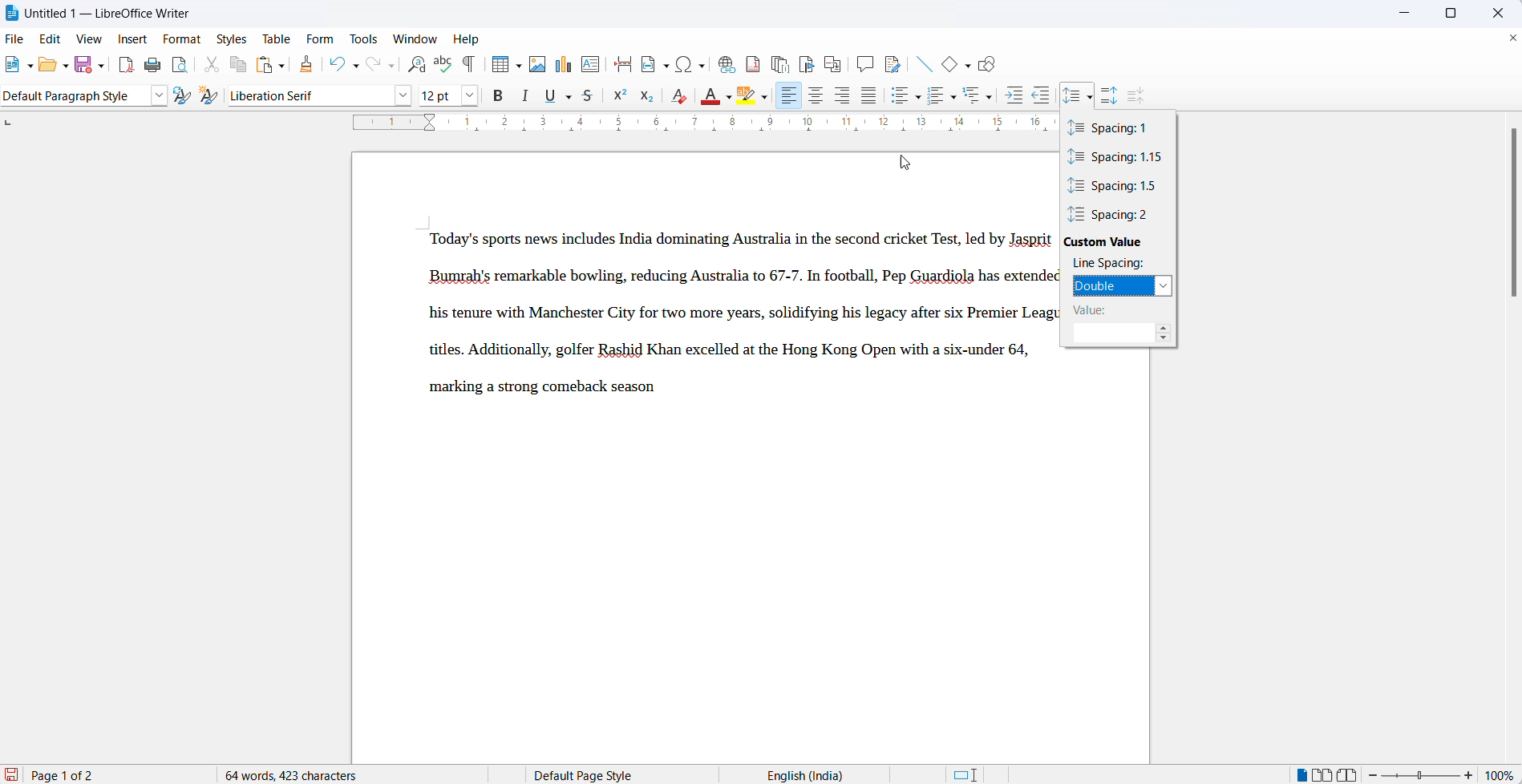 The height and width of the screenshot is (784, 1522). I want to click on toggle print preview, so click(180, 64).